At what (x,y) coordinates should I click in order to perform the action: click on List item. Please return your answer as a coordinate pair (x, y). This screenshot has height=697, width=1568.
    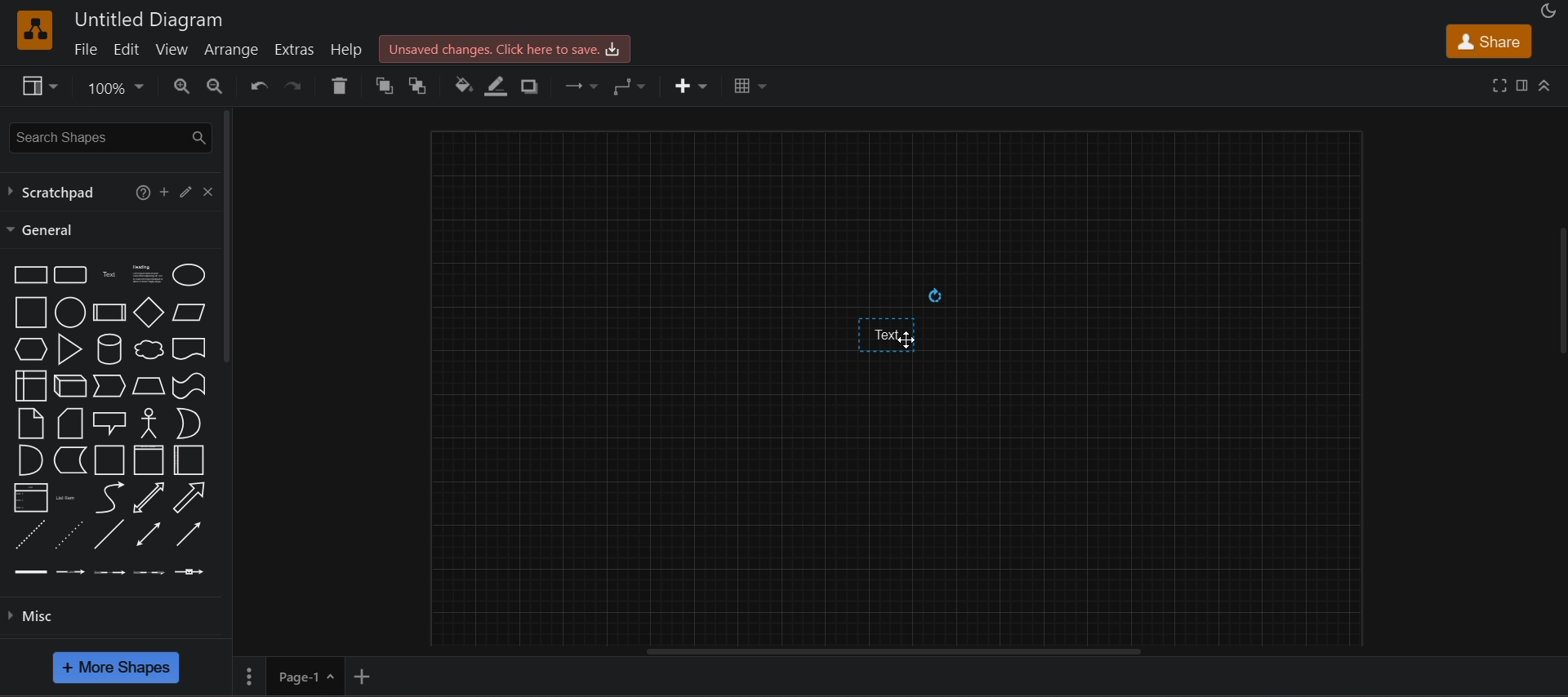
    Looking at the image, I should click on (69, 499).